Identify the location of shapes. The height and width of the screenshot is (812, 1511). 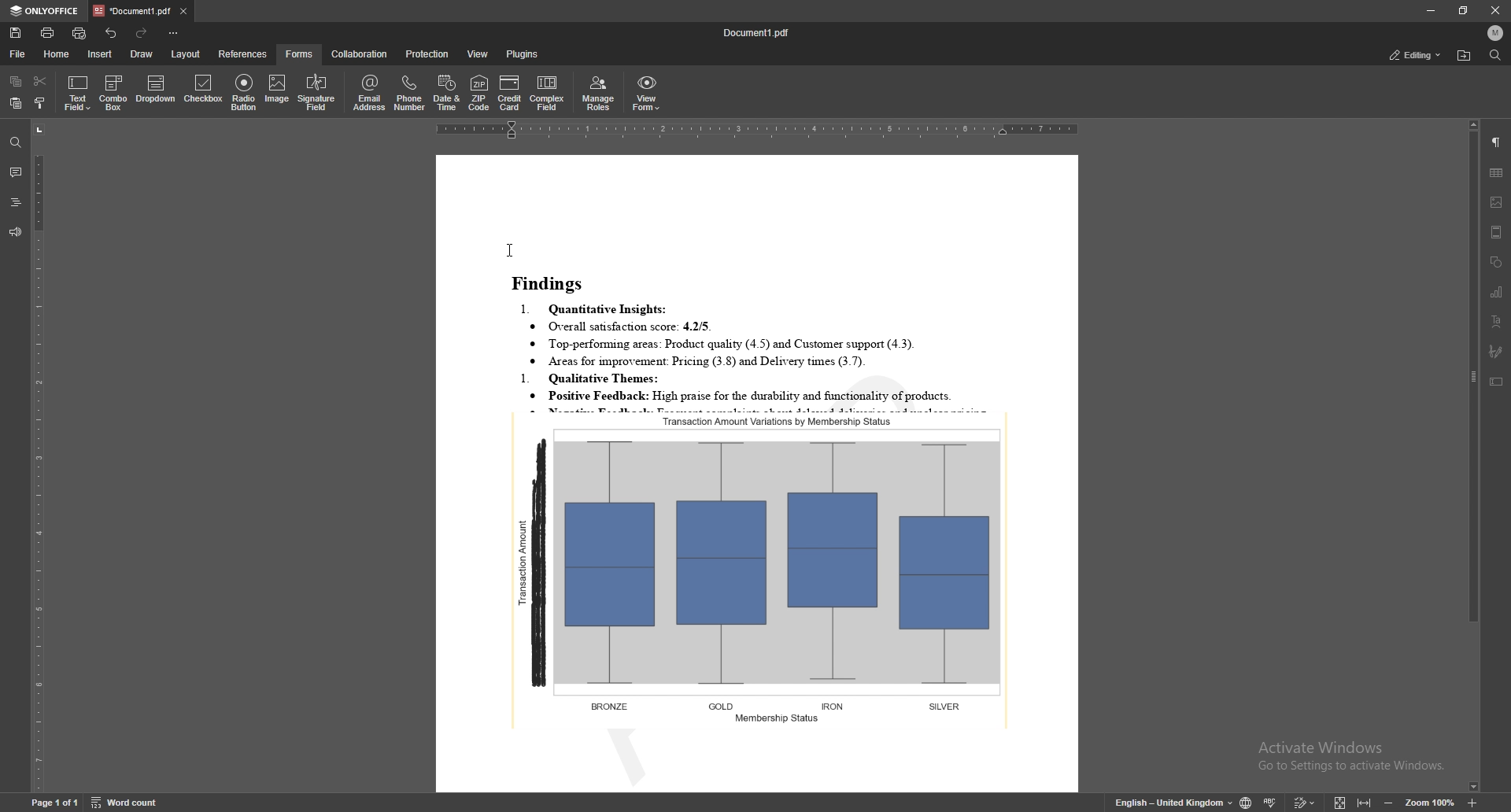
(1498, 263).